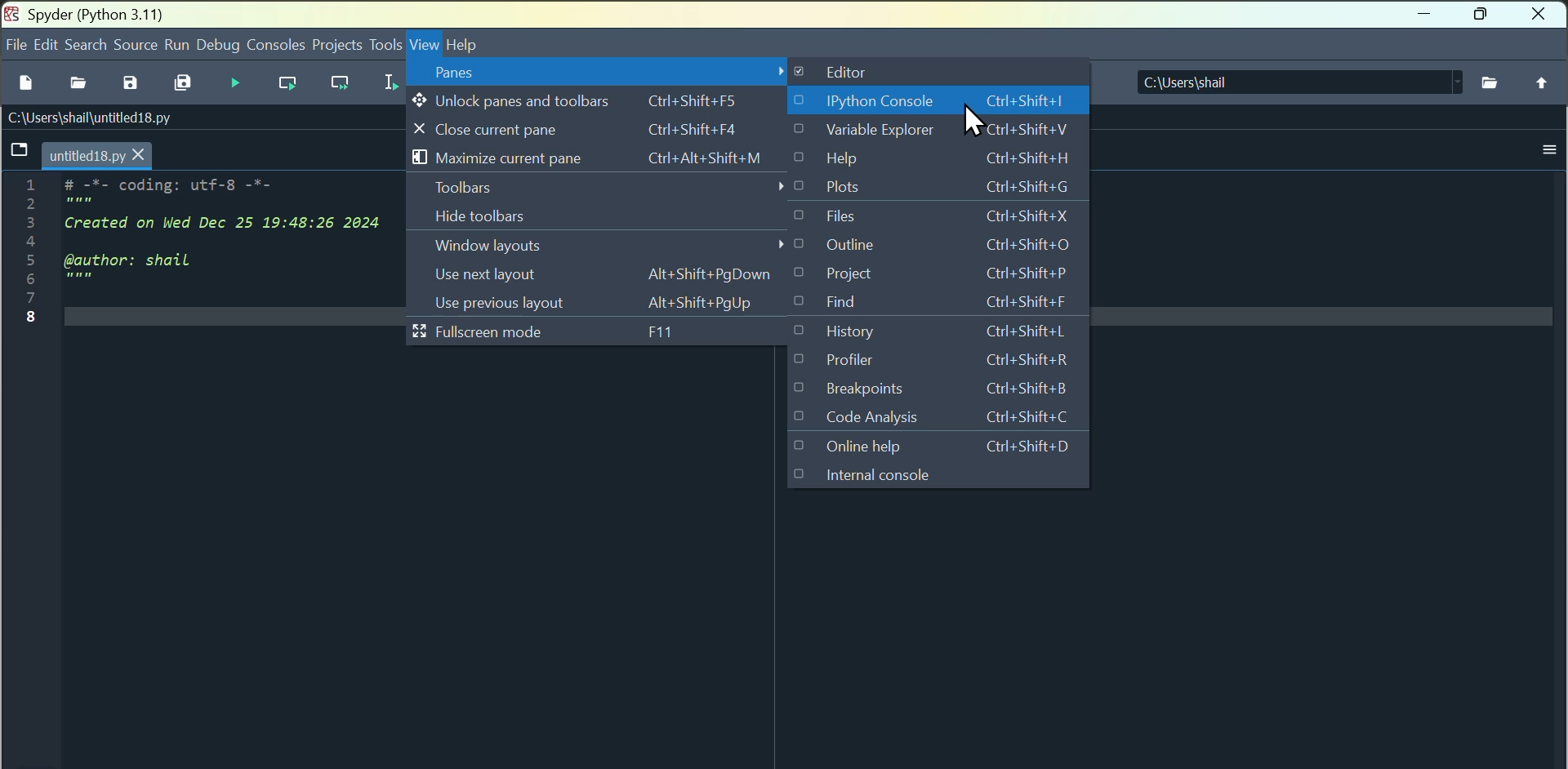  Describe the element at coordinates (82, 12) in the screenshot. I see `Spyder (Python 3.11)` at that location.